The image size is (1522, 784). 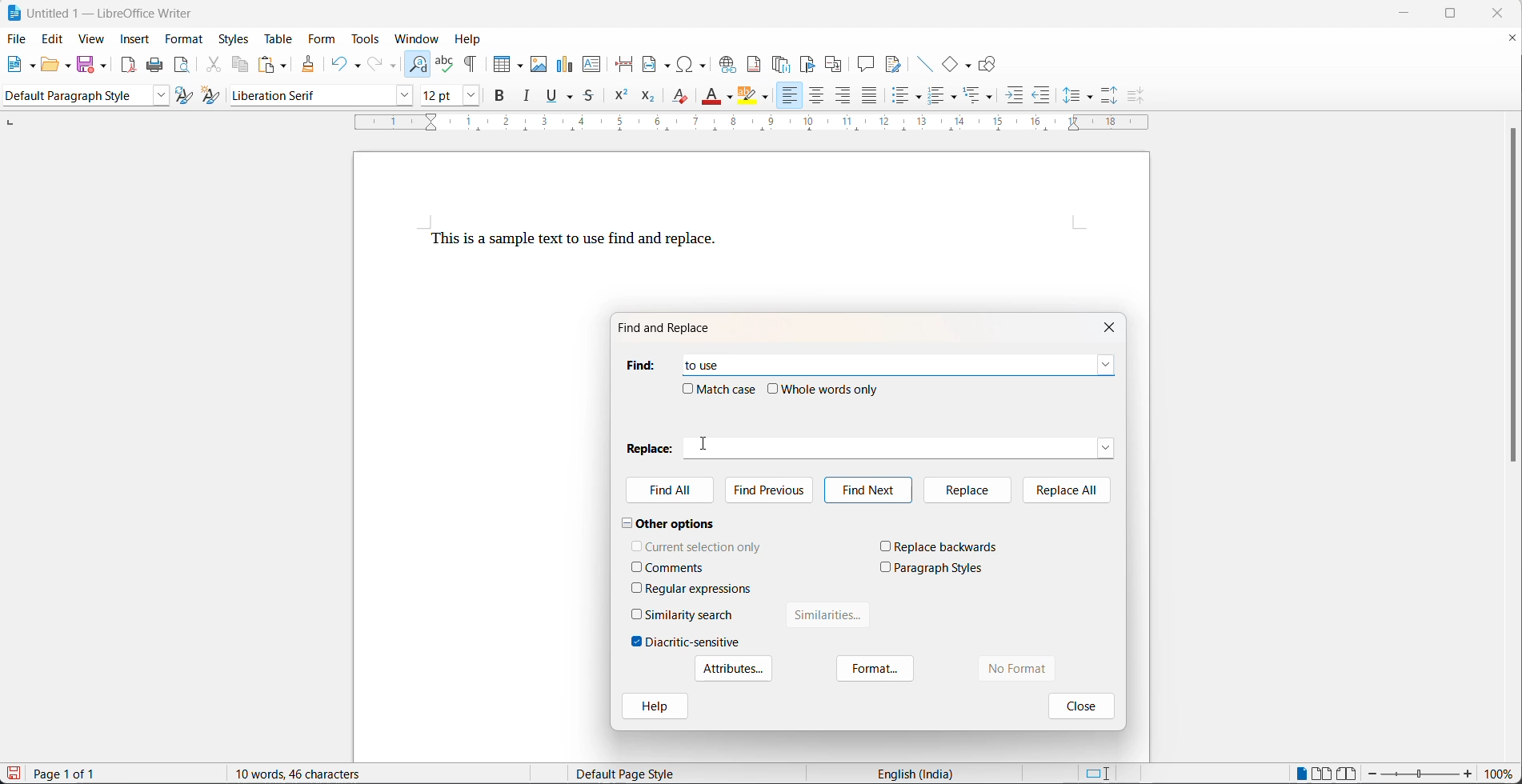 I want to click on basic shapes functions, so click(x=969, y=65).